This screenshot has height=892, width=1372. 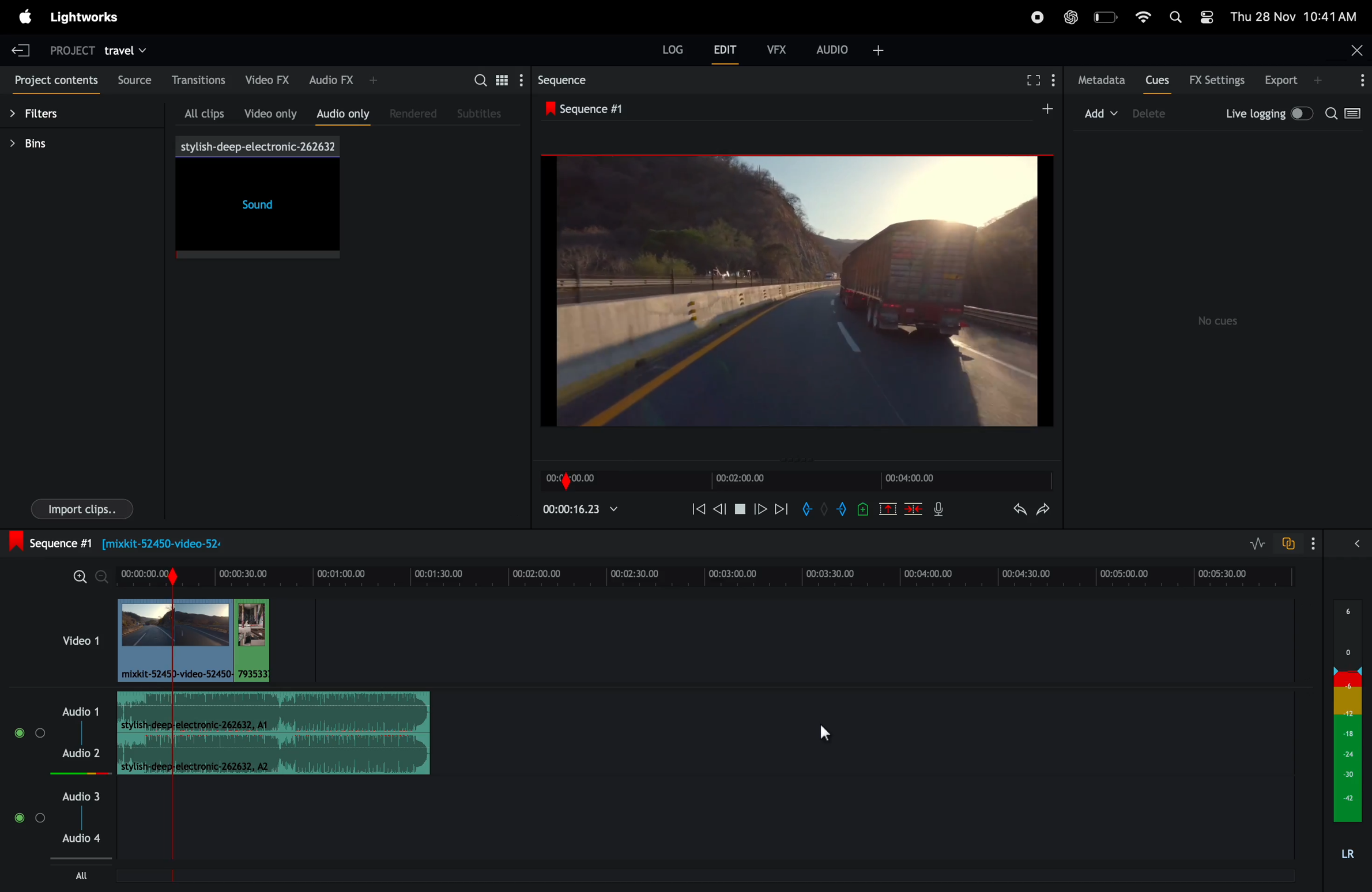 I want to click on apple meu, so click(x=25, y=18).